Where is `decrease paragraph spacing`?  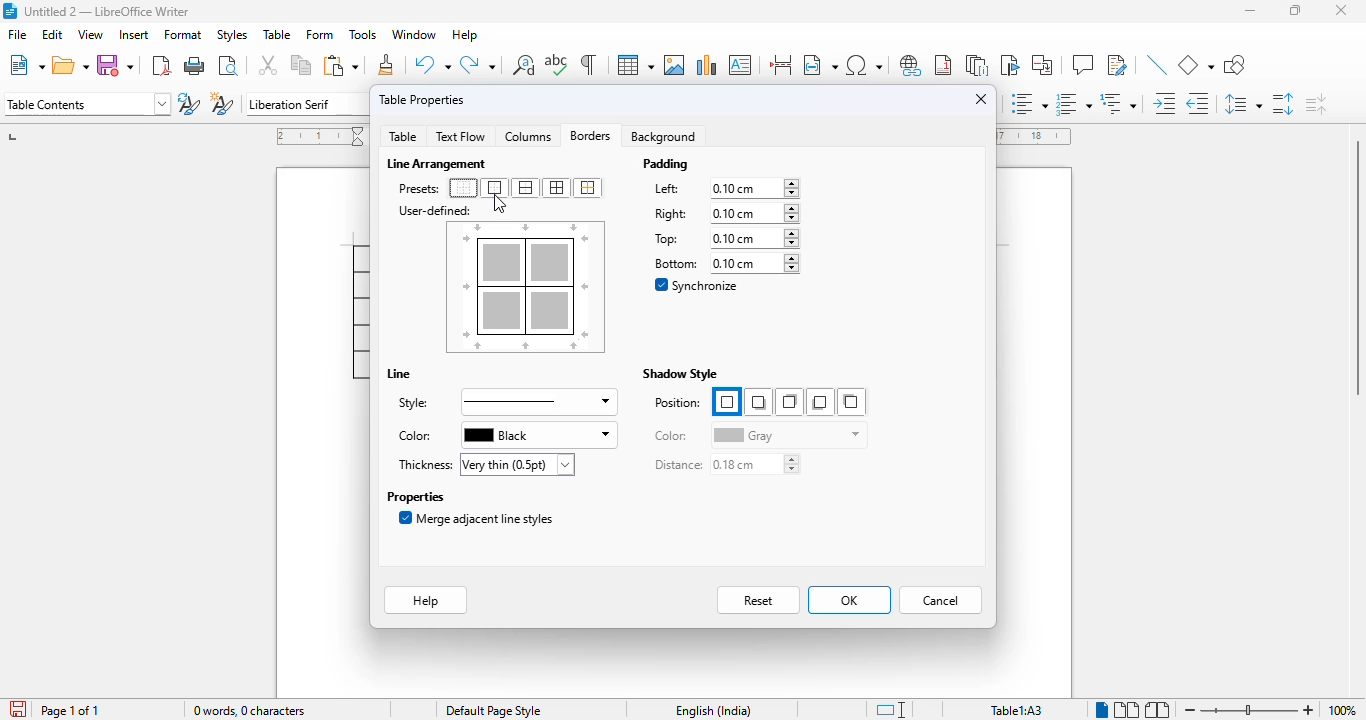
decrease paragraph spacing is located at coordinates (1316, 104).